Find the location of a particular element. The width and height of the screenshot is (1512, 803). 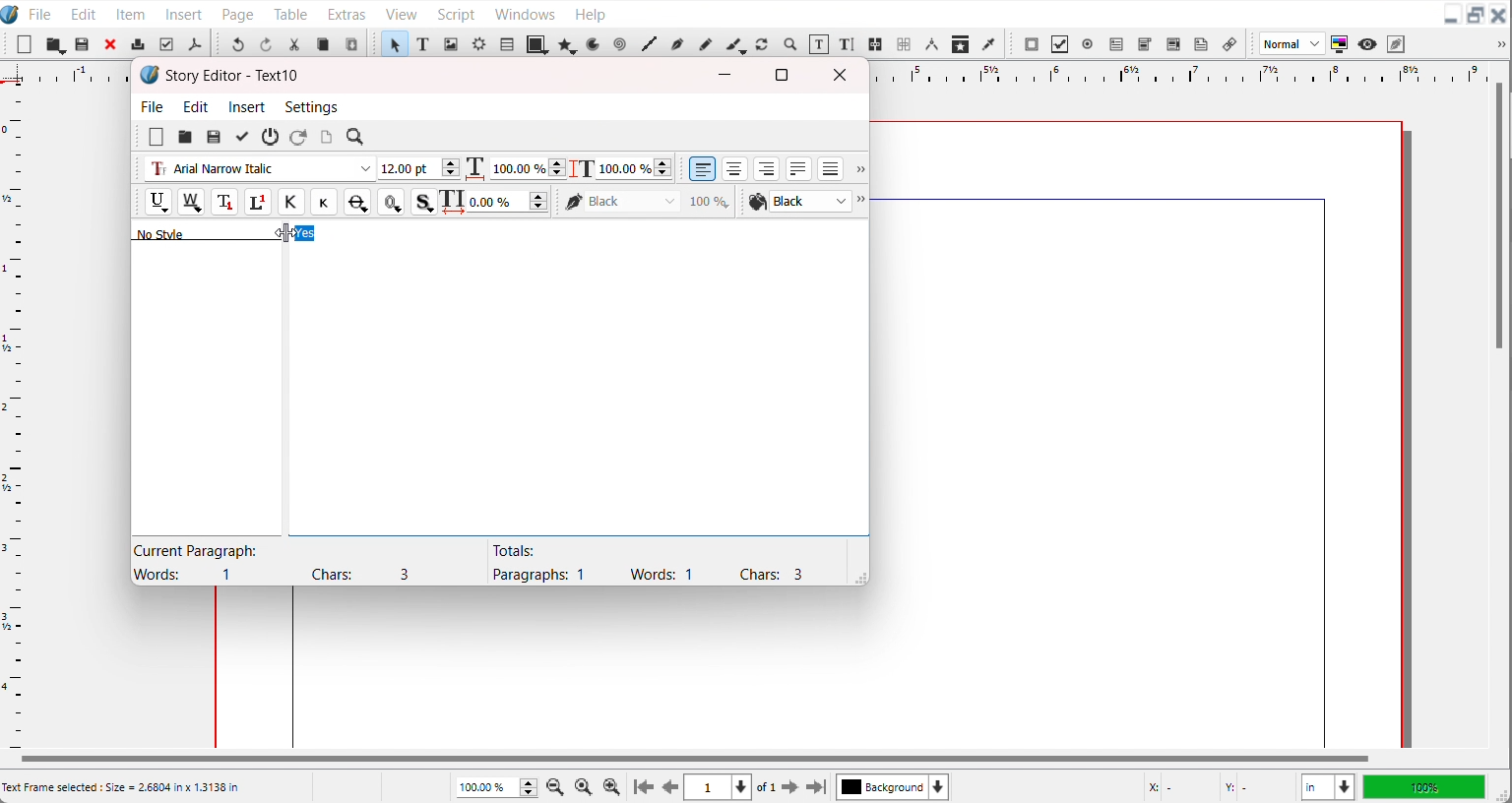

Shape is located at coordinates (537, 43).